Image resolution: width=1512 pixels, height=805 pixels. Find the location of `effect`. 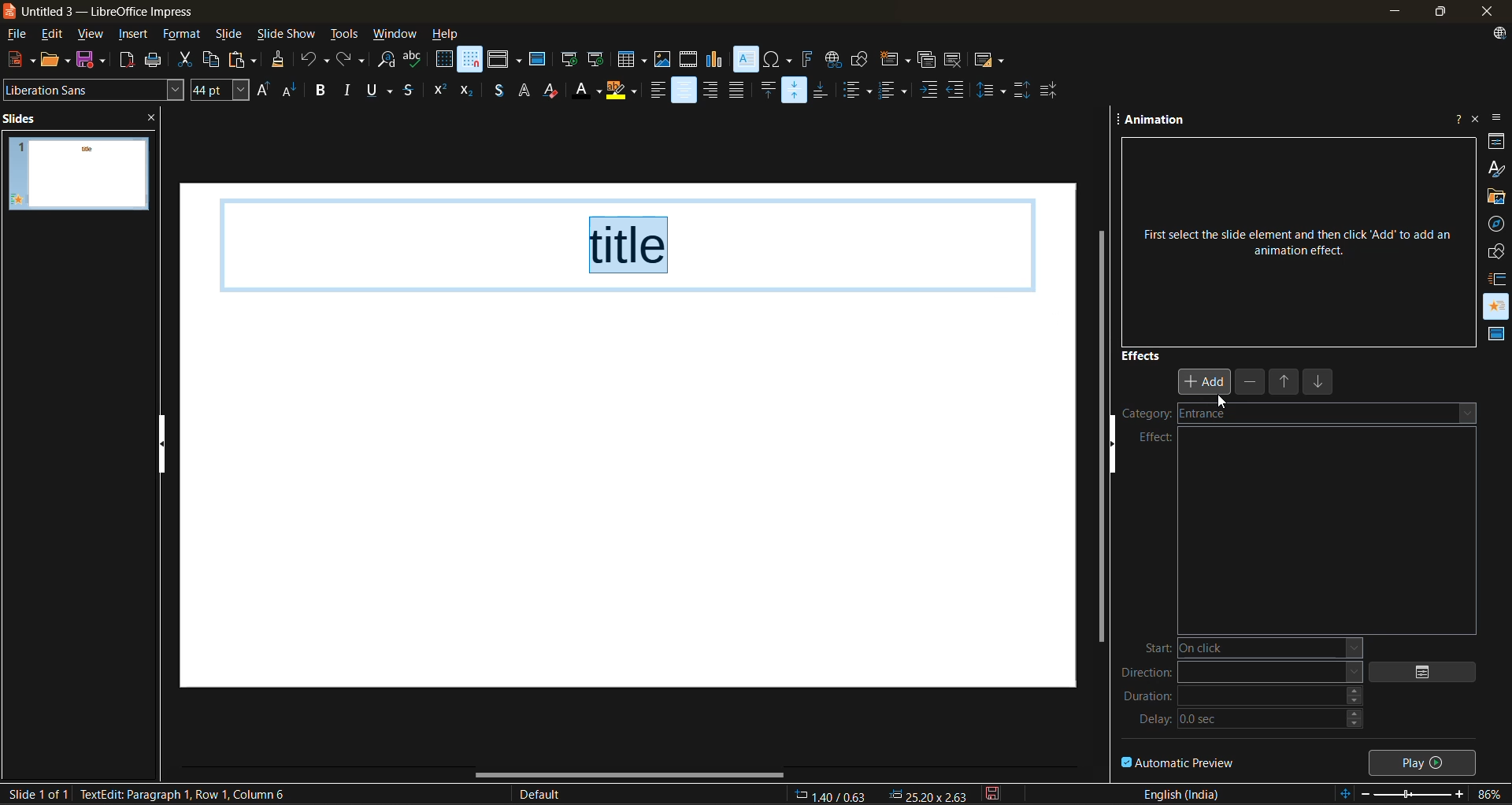

effect is located at coordinates (1156, 437).